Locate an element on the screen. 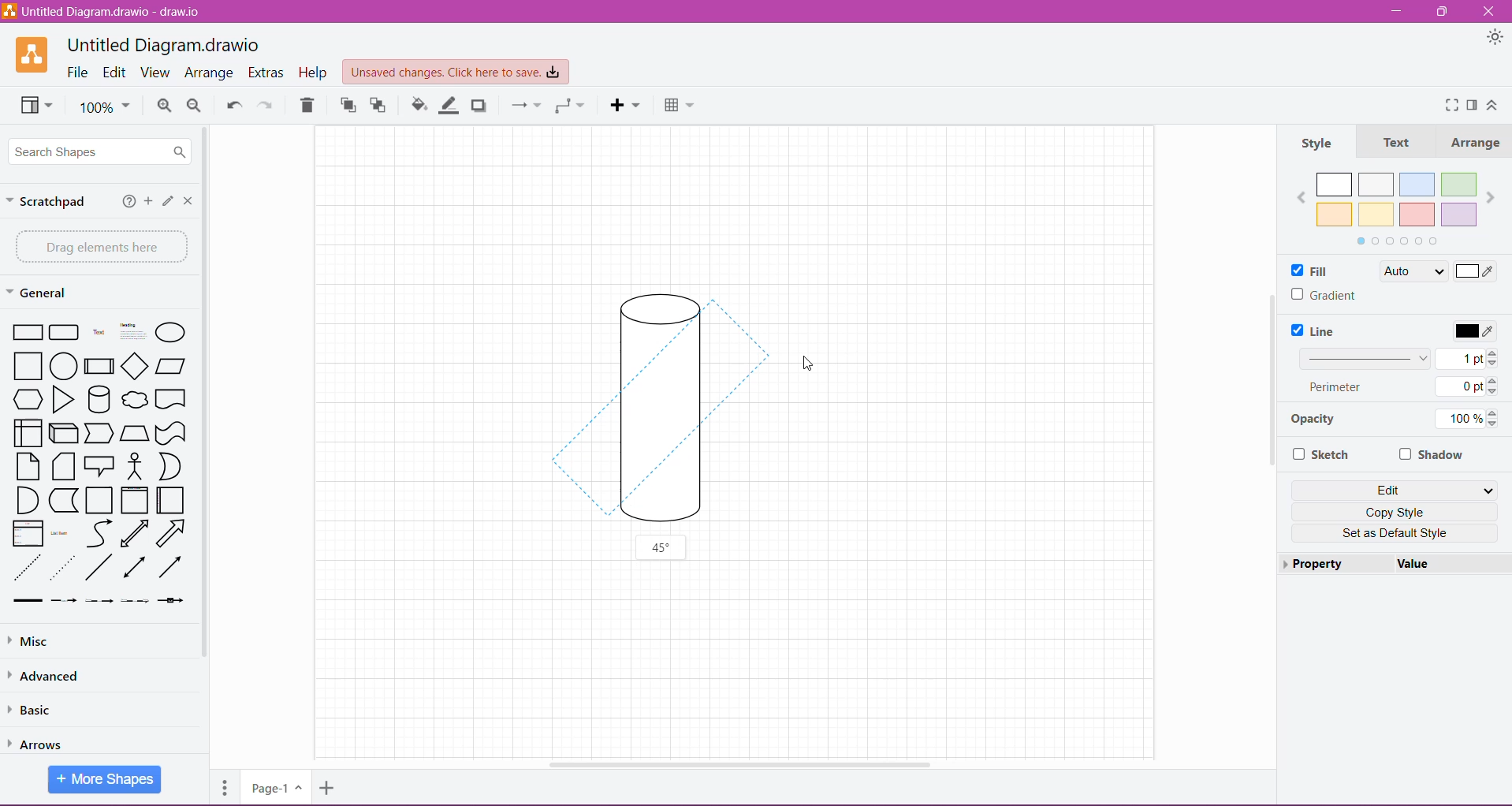  Untitled Diagram.draw.io is located at coordinates (162, 43).